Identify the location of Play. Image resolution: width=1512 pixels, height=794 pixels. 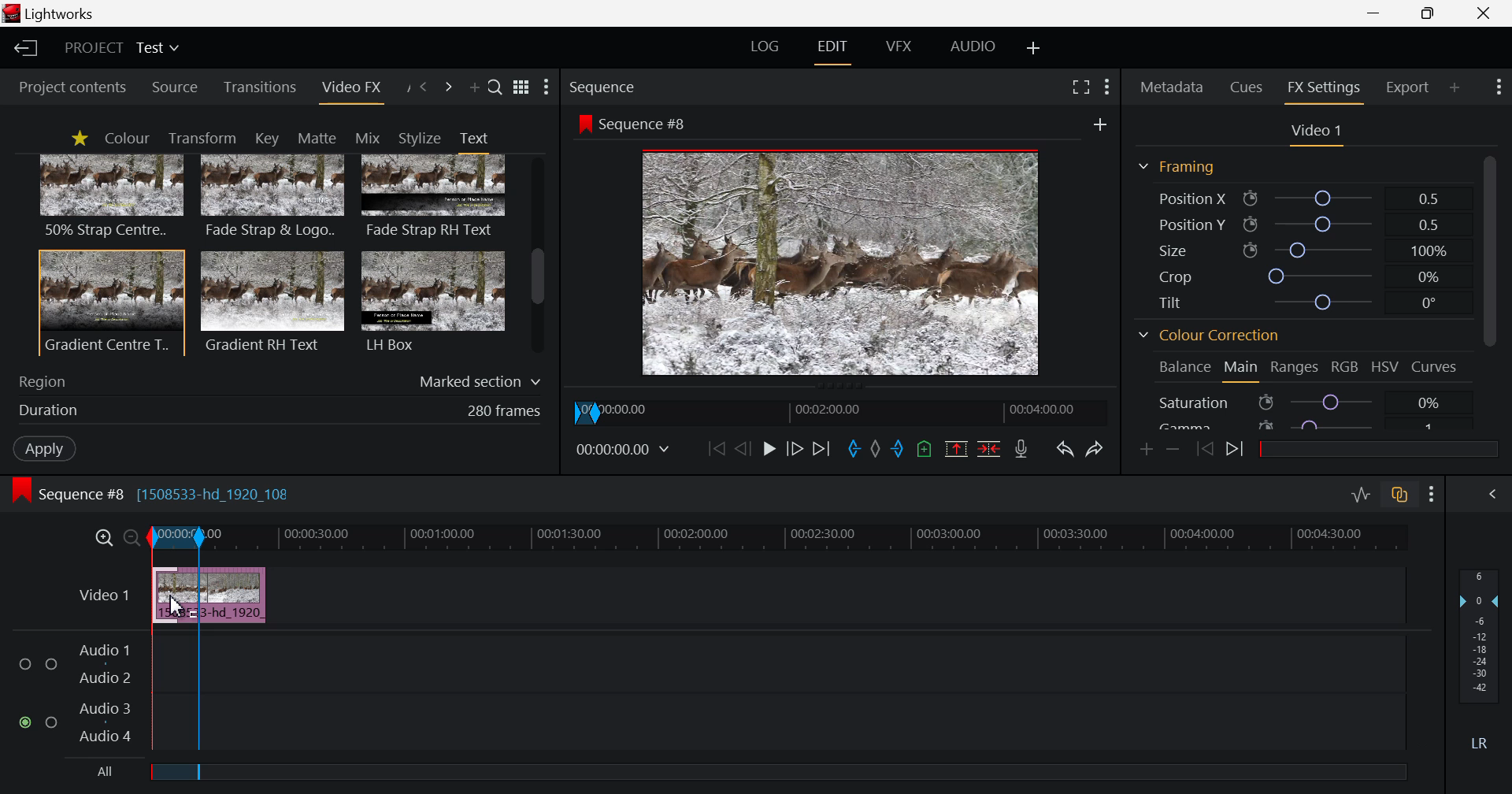
(769, 450).